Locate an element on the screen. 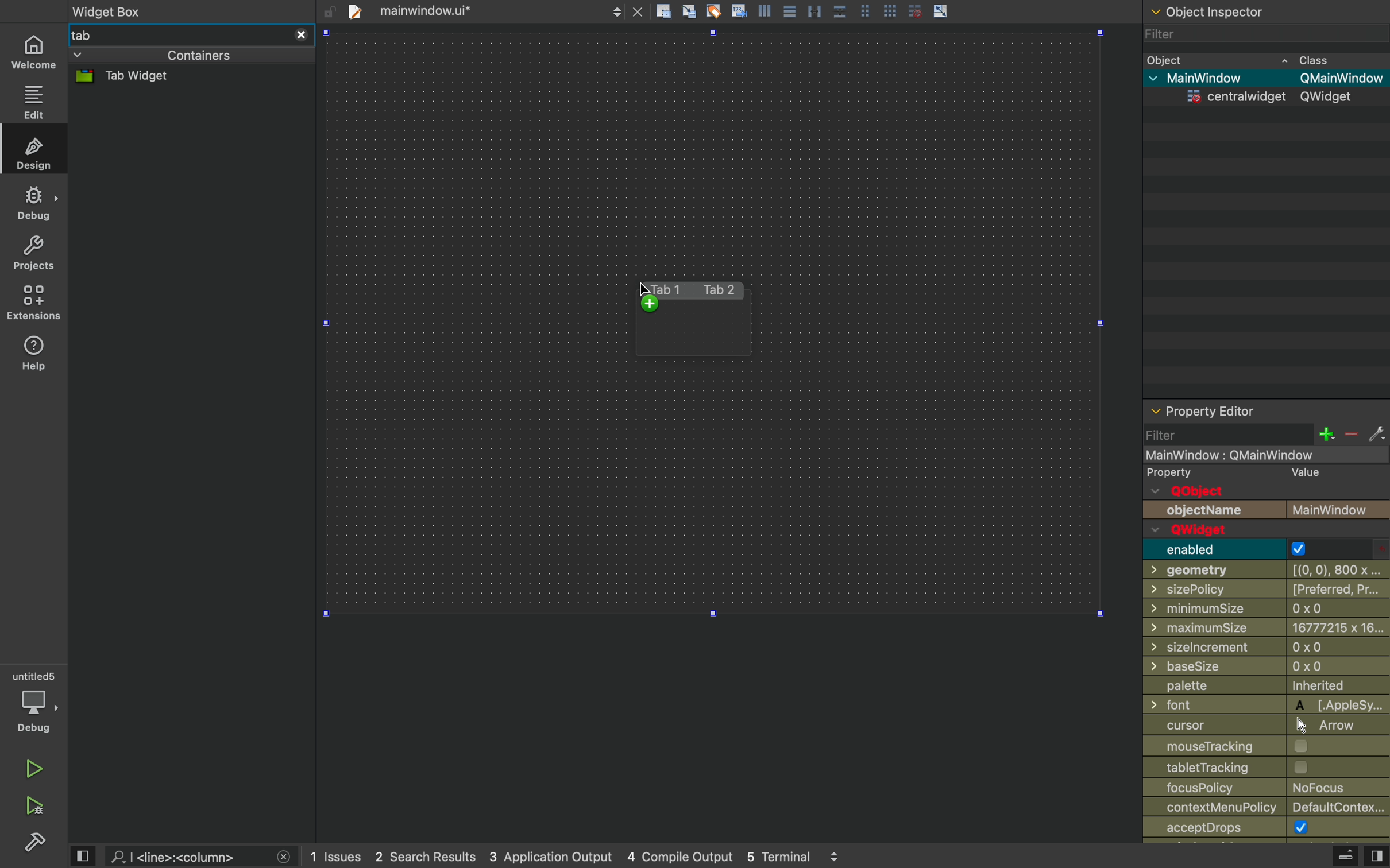 This screenshot has width=1390, height=868. main window is located at coordinates (1262, 79).